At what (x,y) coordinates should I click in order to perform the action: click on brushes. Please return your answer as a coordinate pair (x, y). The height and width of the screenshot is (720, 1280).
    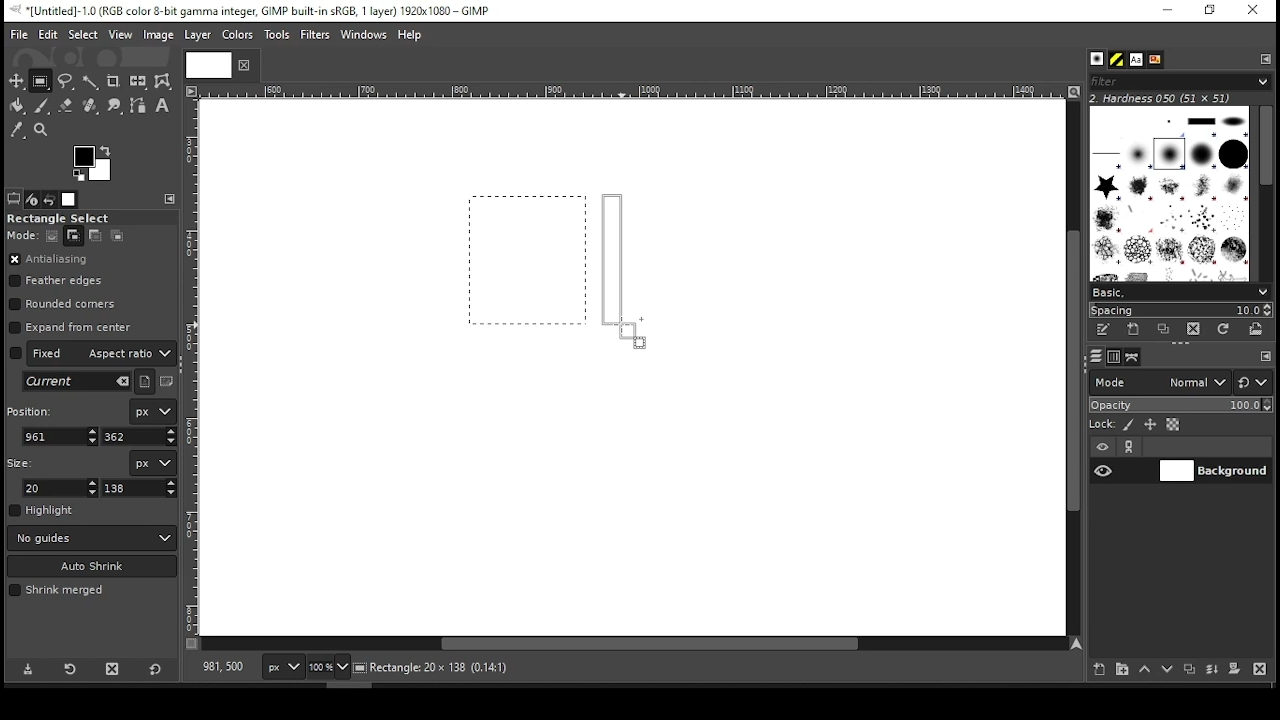
    Looking at the image, I should click on (1097, 60).